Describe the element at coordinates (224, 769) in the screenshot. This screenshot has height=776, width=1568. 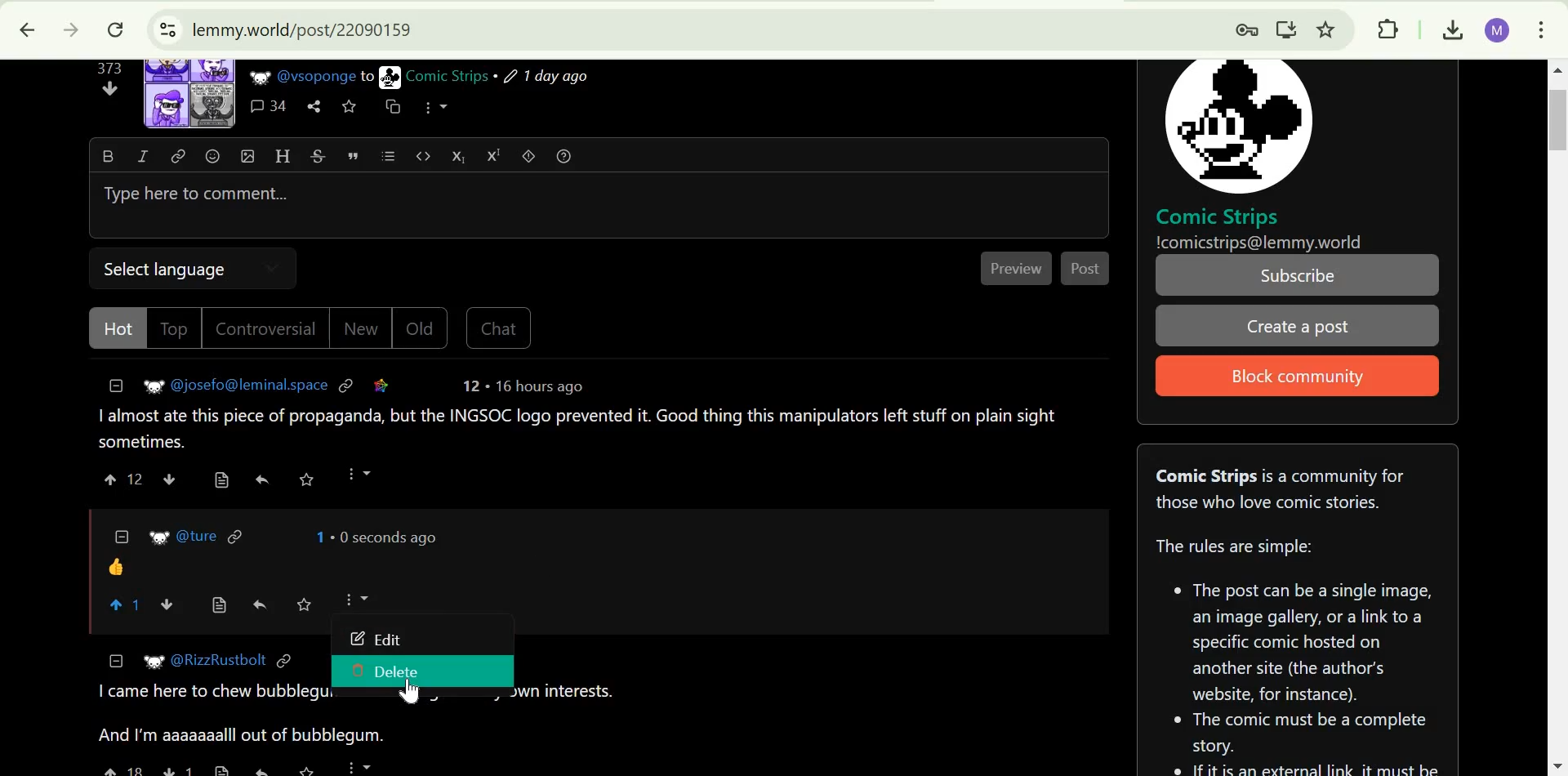
I see `view source` at that location.